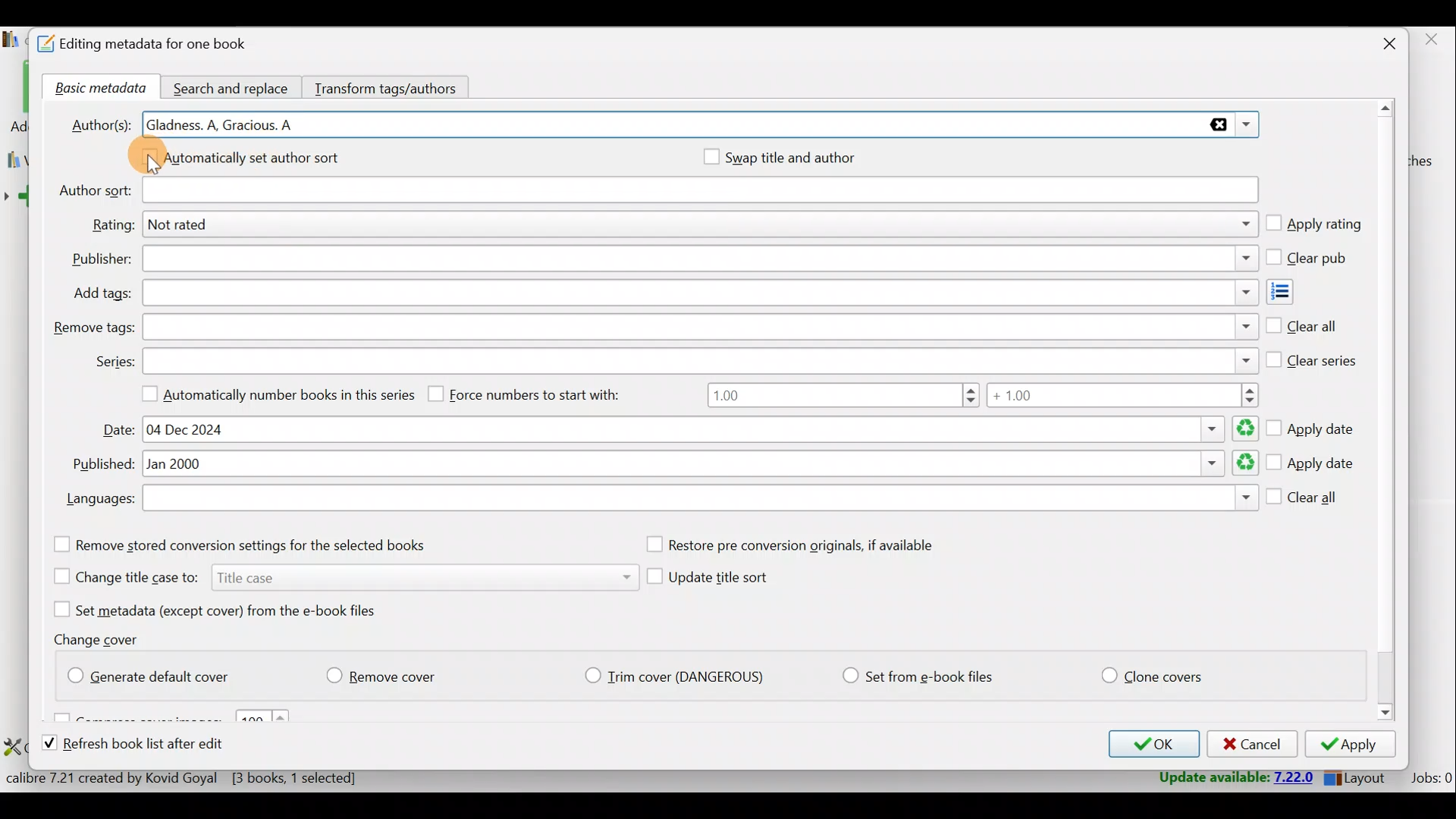  What do you see at coordinates (1150, 744) in the screenshot?
I see `OK` at bounding box center [1150, 744].